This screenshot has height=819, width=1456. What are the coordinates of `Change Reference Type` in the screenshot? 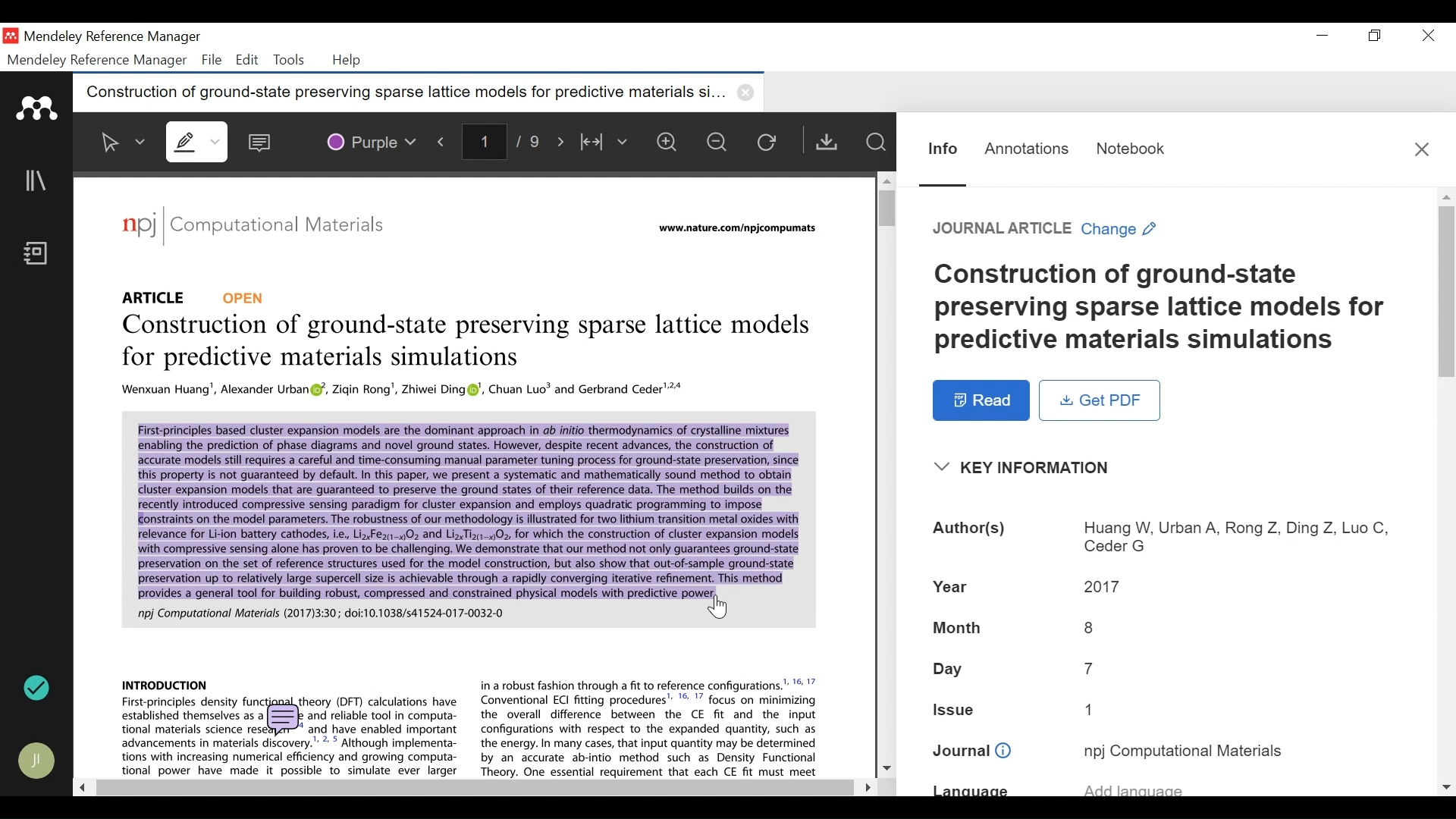 It's located at (1045, 228).